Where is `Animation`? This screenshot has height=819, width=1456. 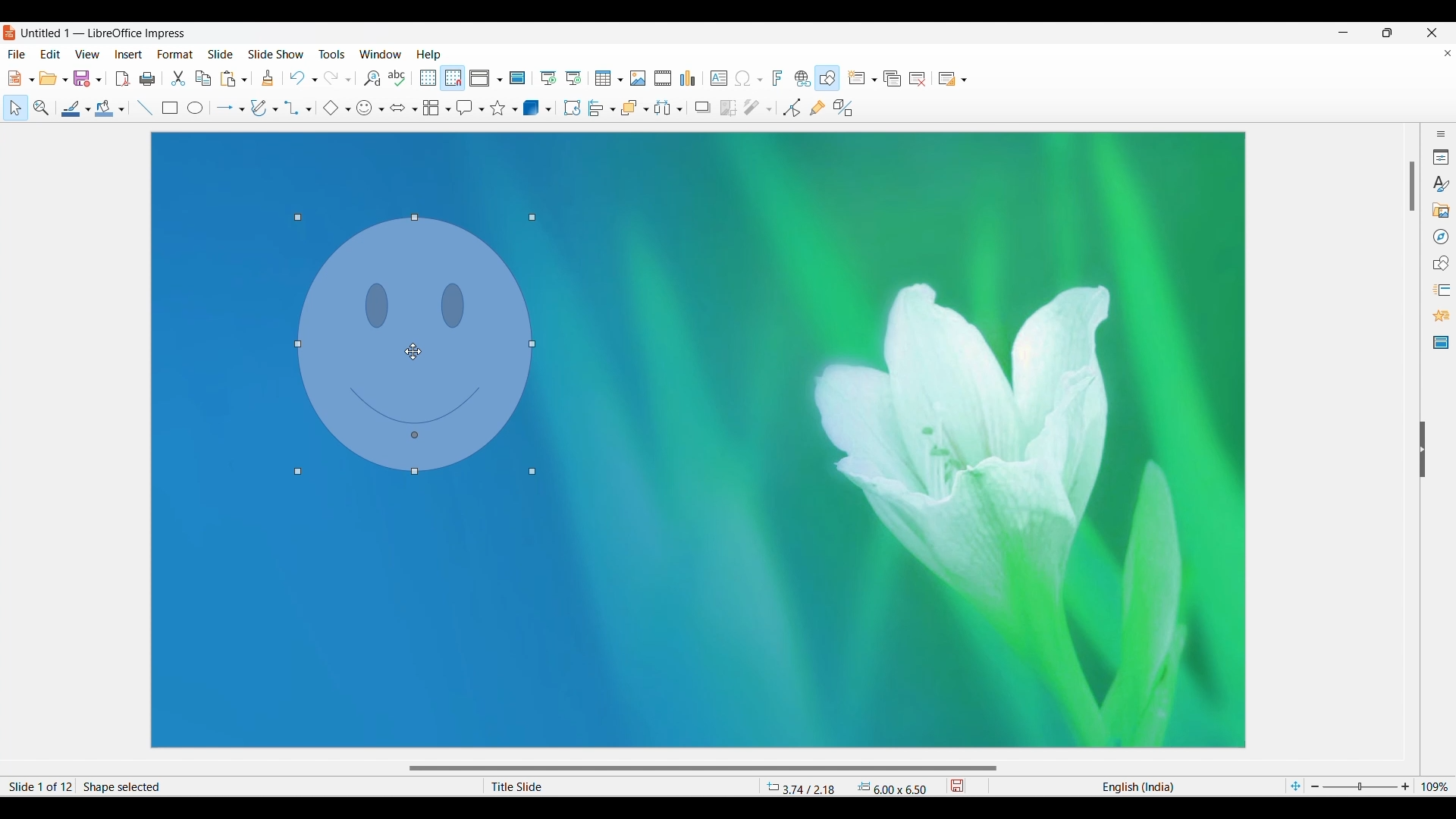
Animation is located at coordinates (1442, 315).